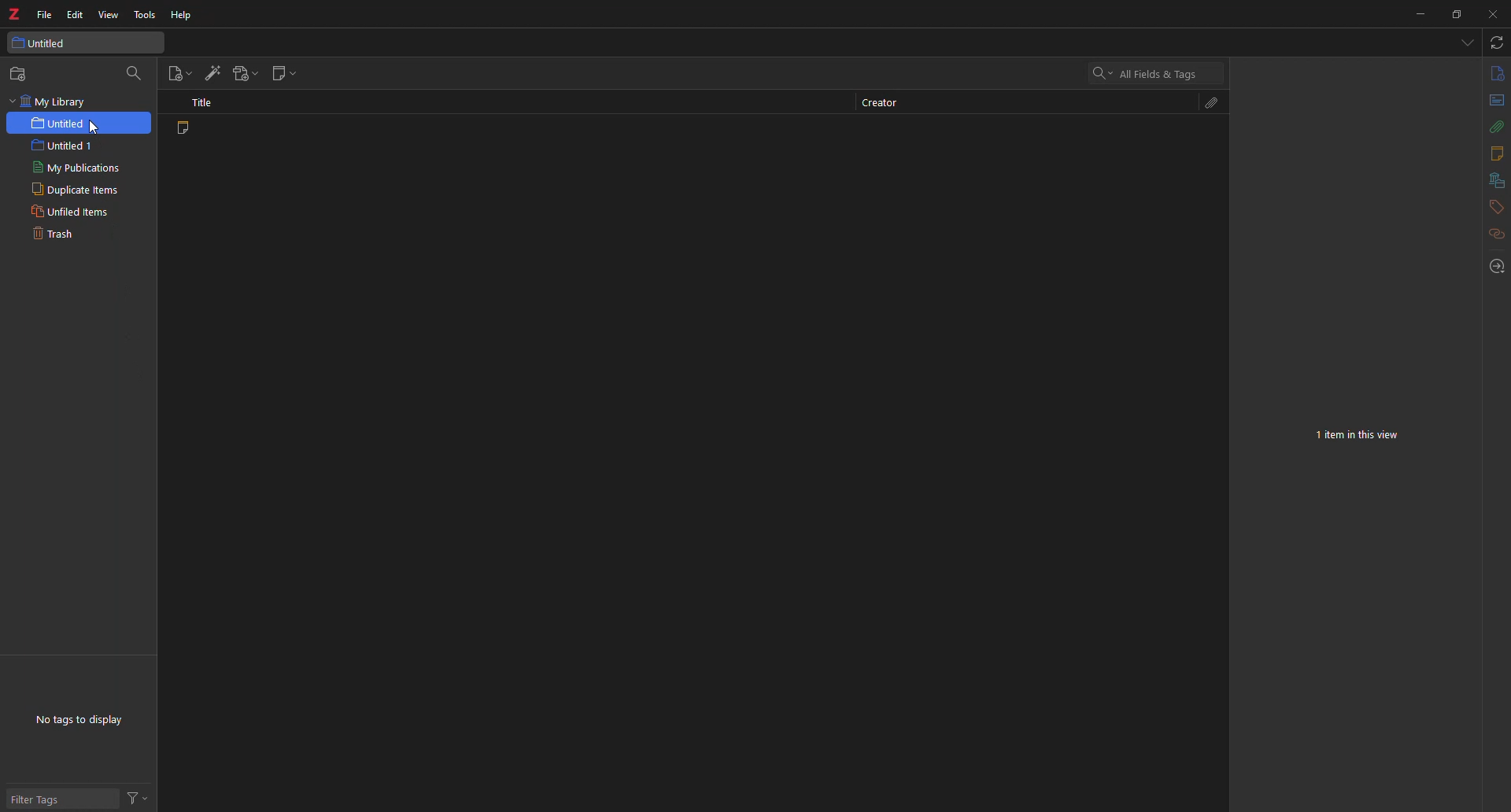 The height and width of the screenshot is (812, 1511). What do you see at coordinates (1496, 265) in the screenshot?
I see `locate` at bounding box center [1496, 265].